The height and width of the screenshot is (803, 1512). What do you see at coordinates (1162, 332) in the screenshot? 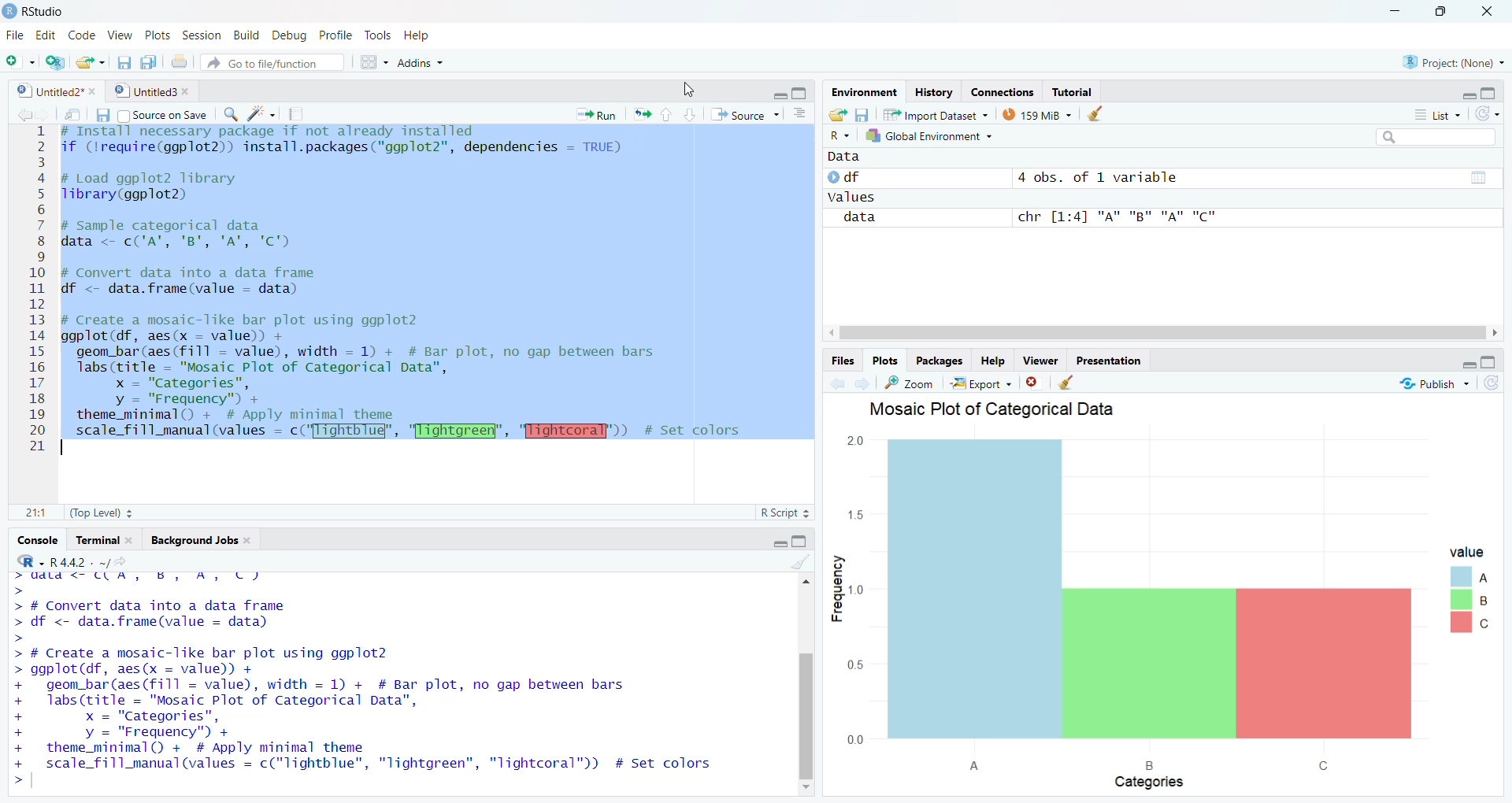
I see `Scroll` at bounding box center [1162, 332].